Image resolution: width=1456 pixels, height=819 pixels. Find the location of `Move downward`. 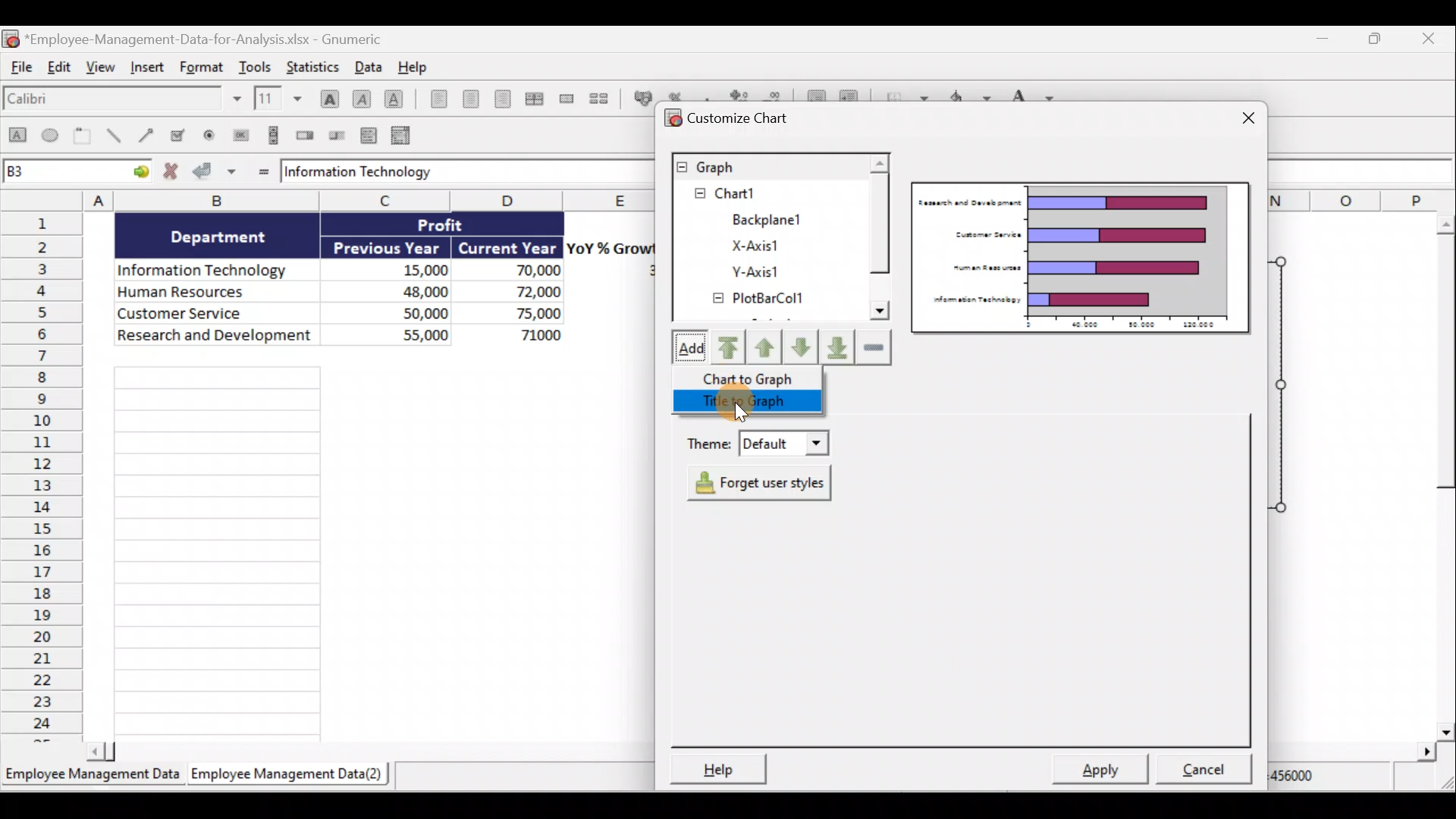

Move downward is located at coordinates (836, 350).